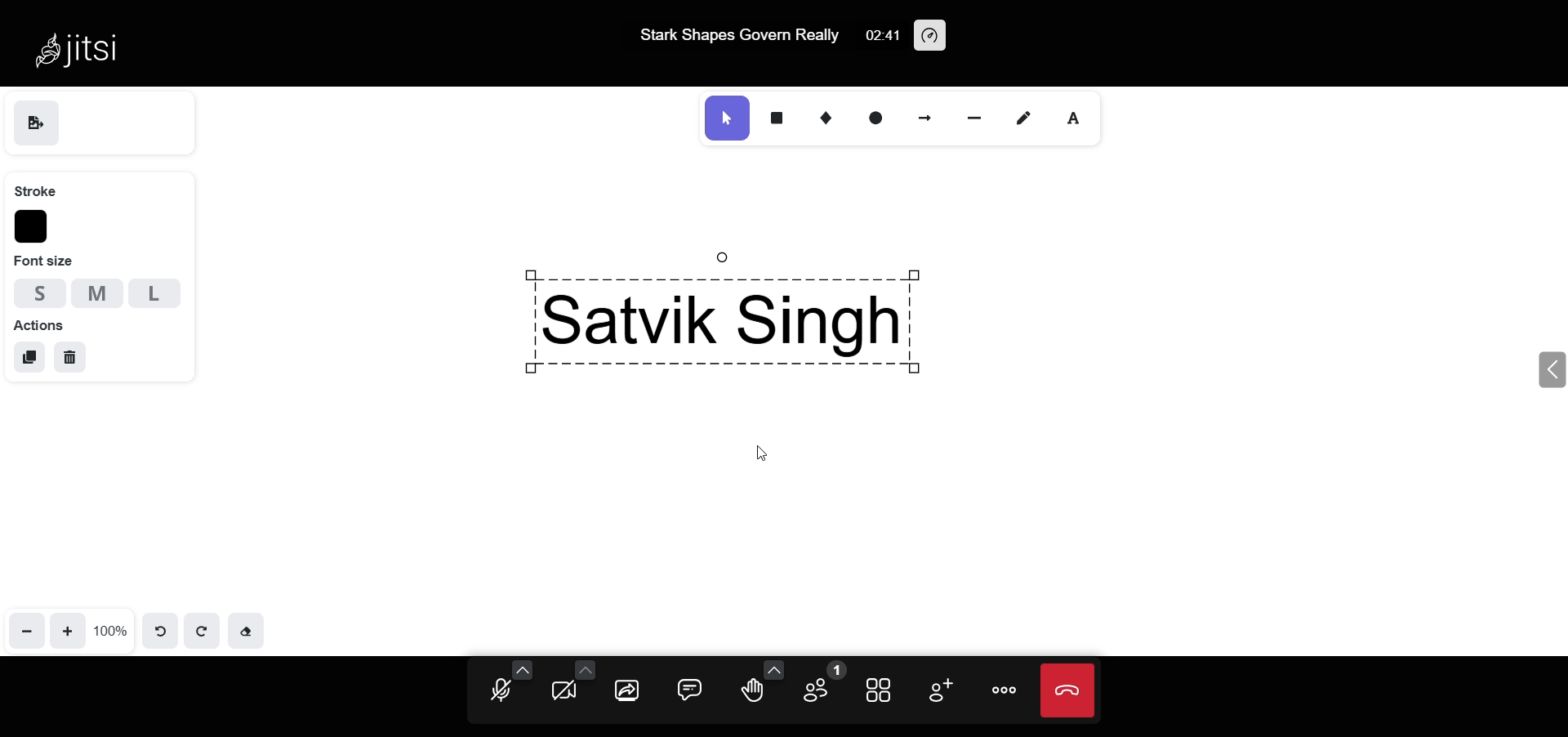 Image resolution: width=1568 pixels, height=737 pixels. Describe the element at coordinates (881, 688) in the screenshot. I see `tile view` at that location.